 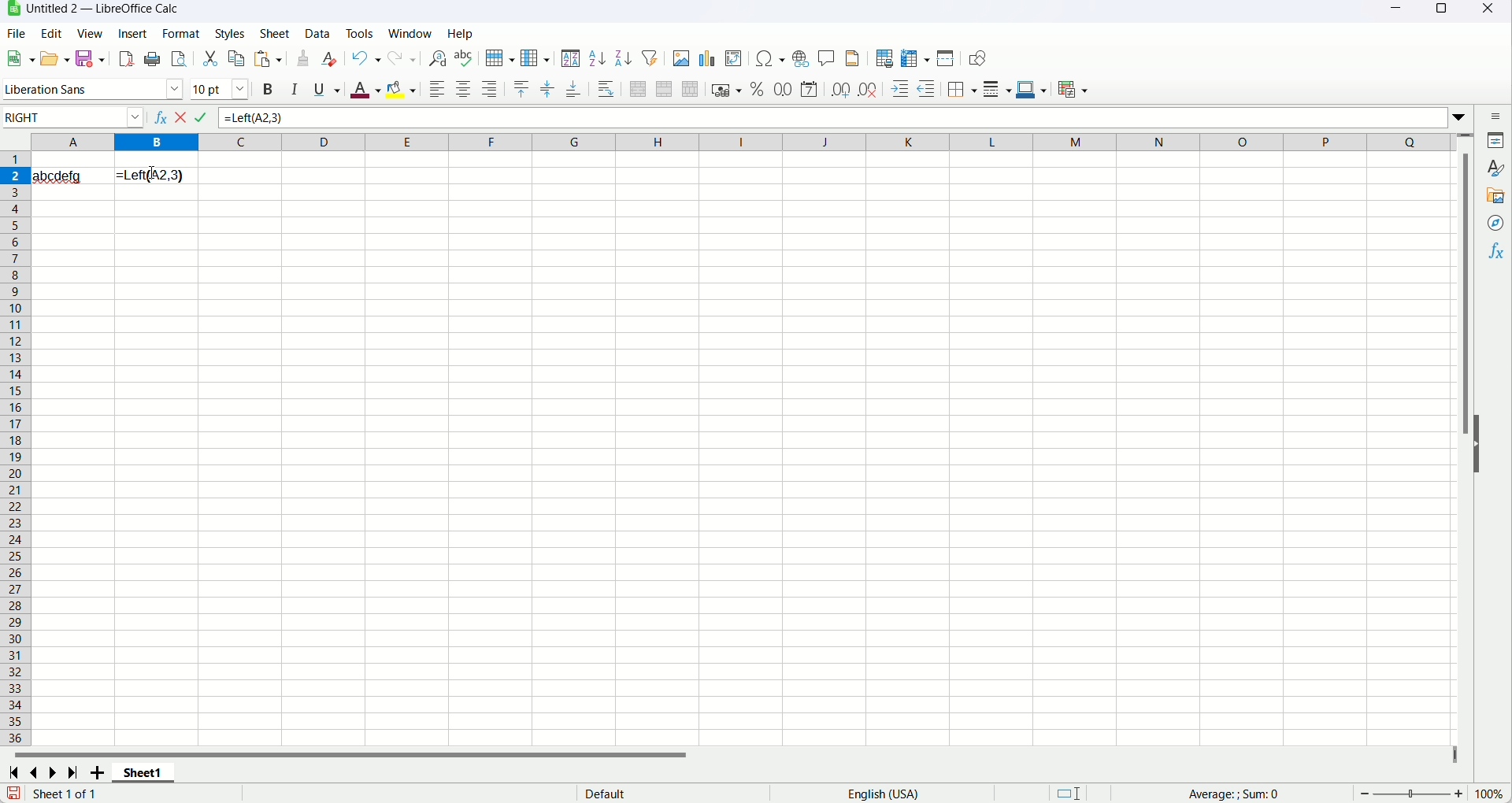 What do you see at coordinates (463, 88) in the screenshot?
I see `align center` at bounding box center [463, 88].